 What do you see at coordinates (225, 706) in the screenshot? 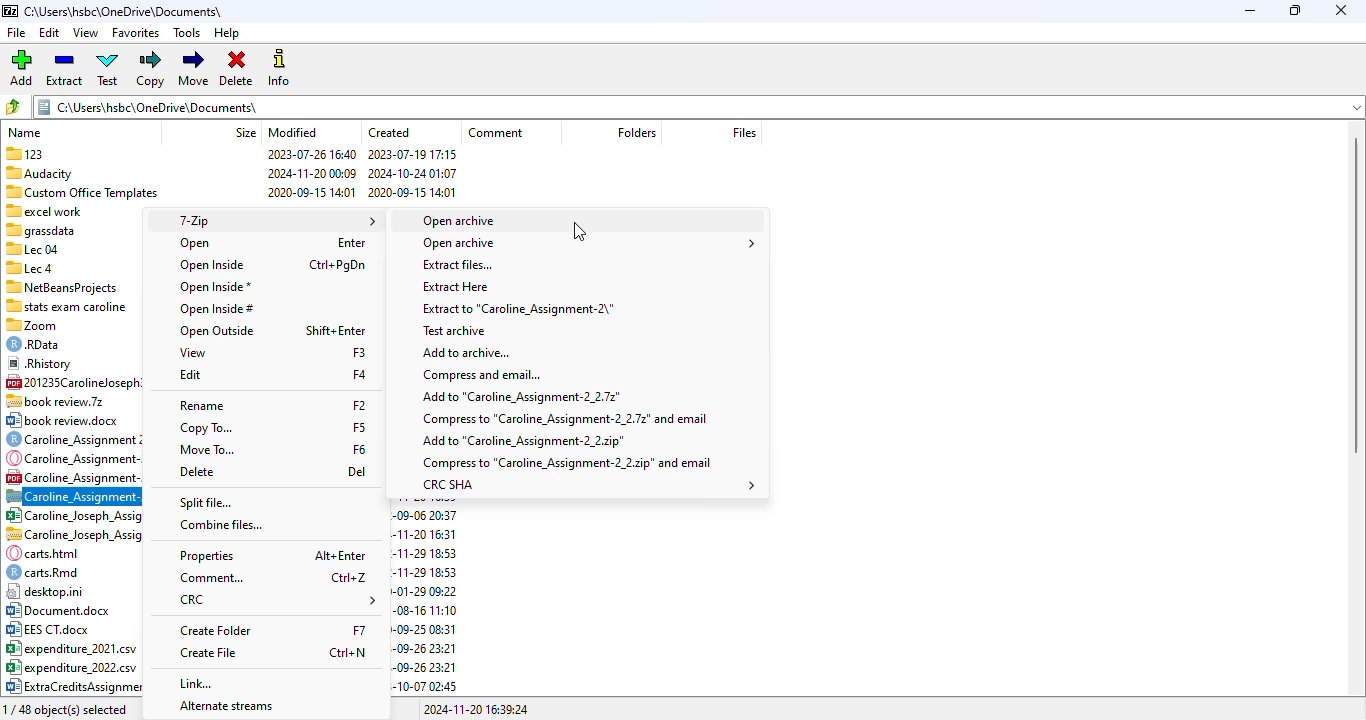
I see `Alernate streams` at bounding box center [225, 706].